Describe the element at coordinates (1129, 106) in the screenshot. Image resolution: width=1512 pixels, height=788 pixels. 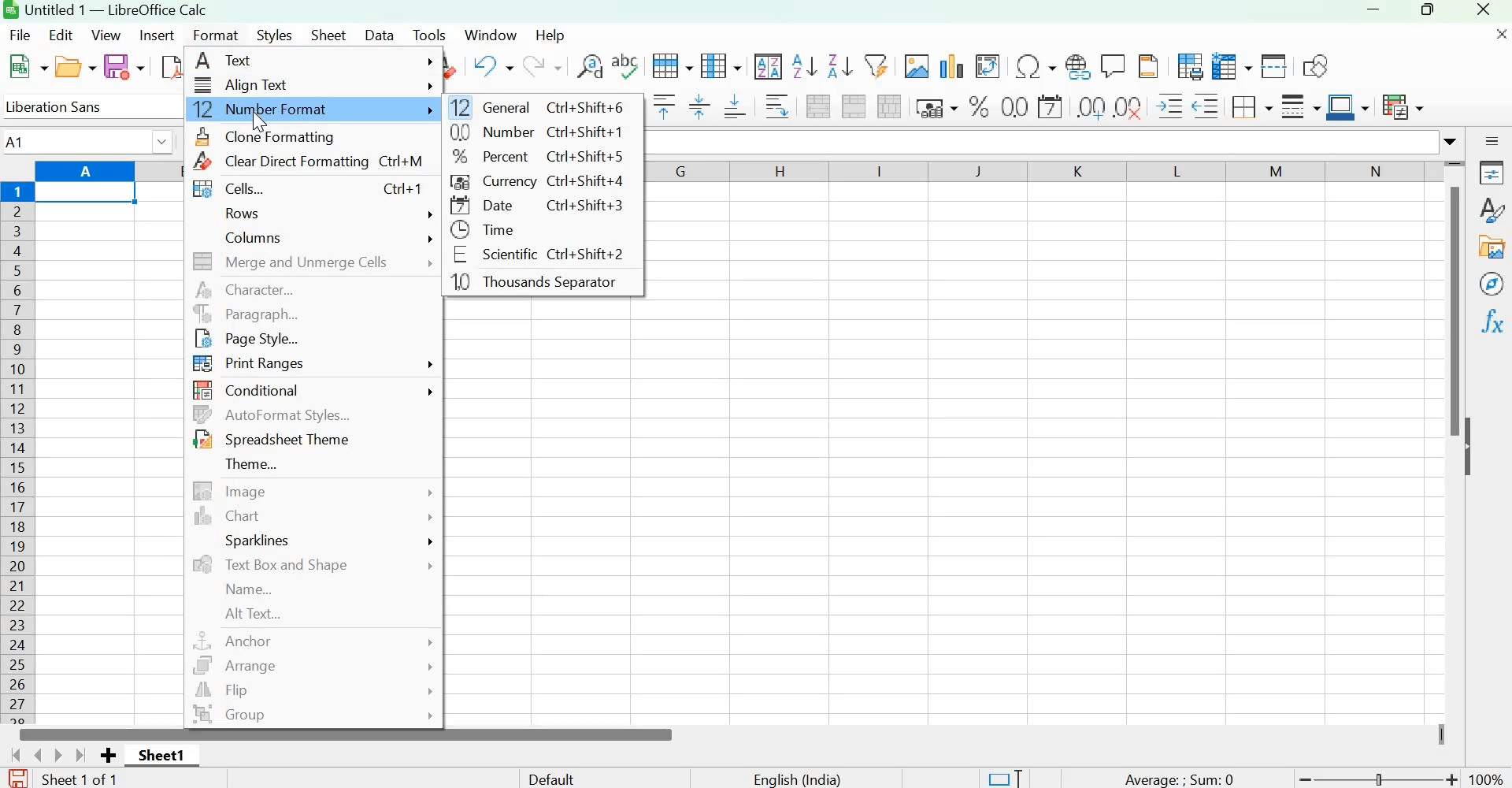
I see `Delete decimal point` at that location.